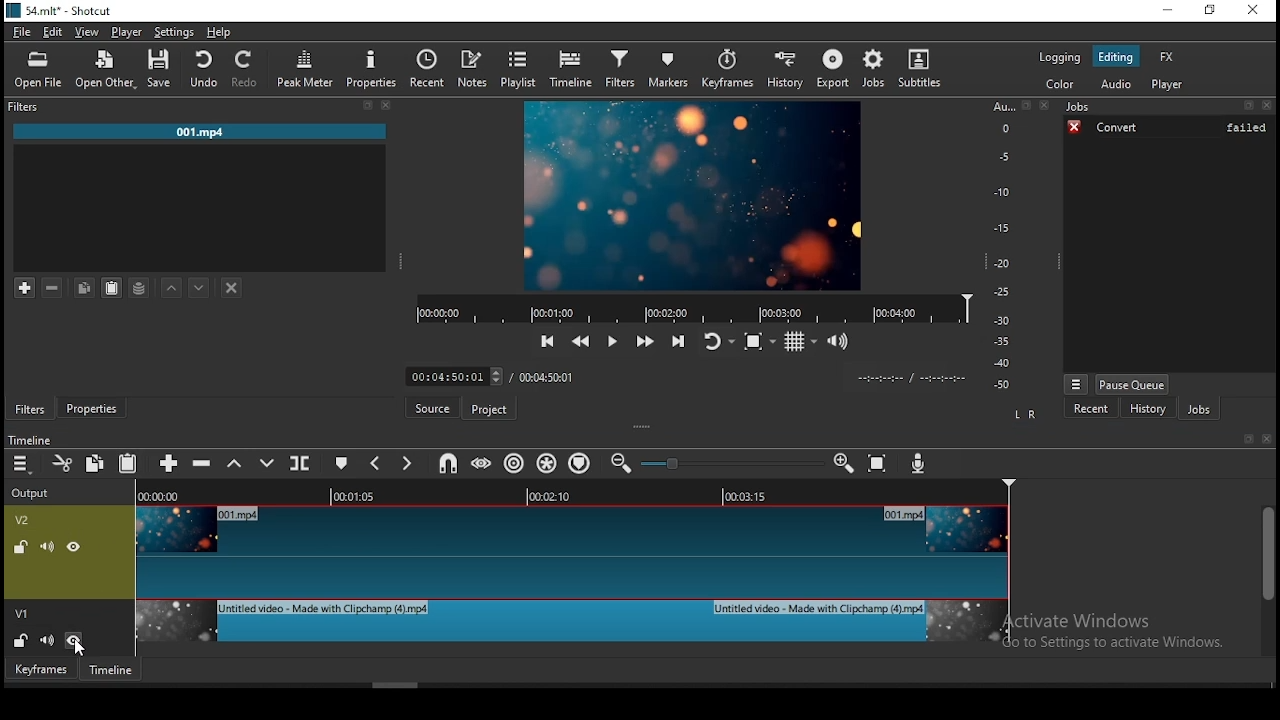  What do you see at coordinates (39, 70) in the screenshot?
I see `open file` at bounding box center [39, 70].